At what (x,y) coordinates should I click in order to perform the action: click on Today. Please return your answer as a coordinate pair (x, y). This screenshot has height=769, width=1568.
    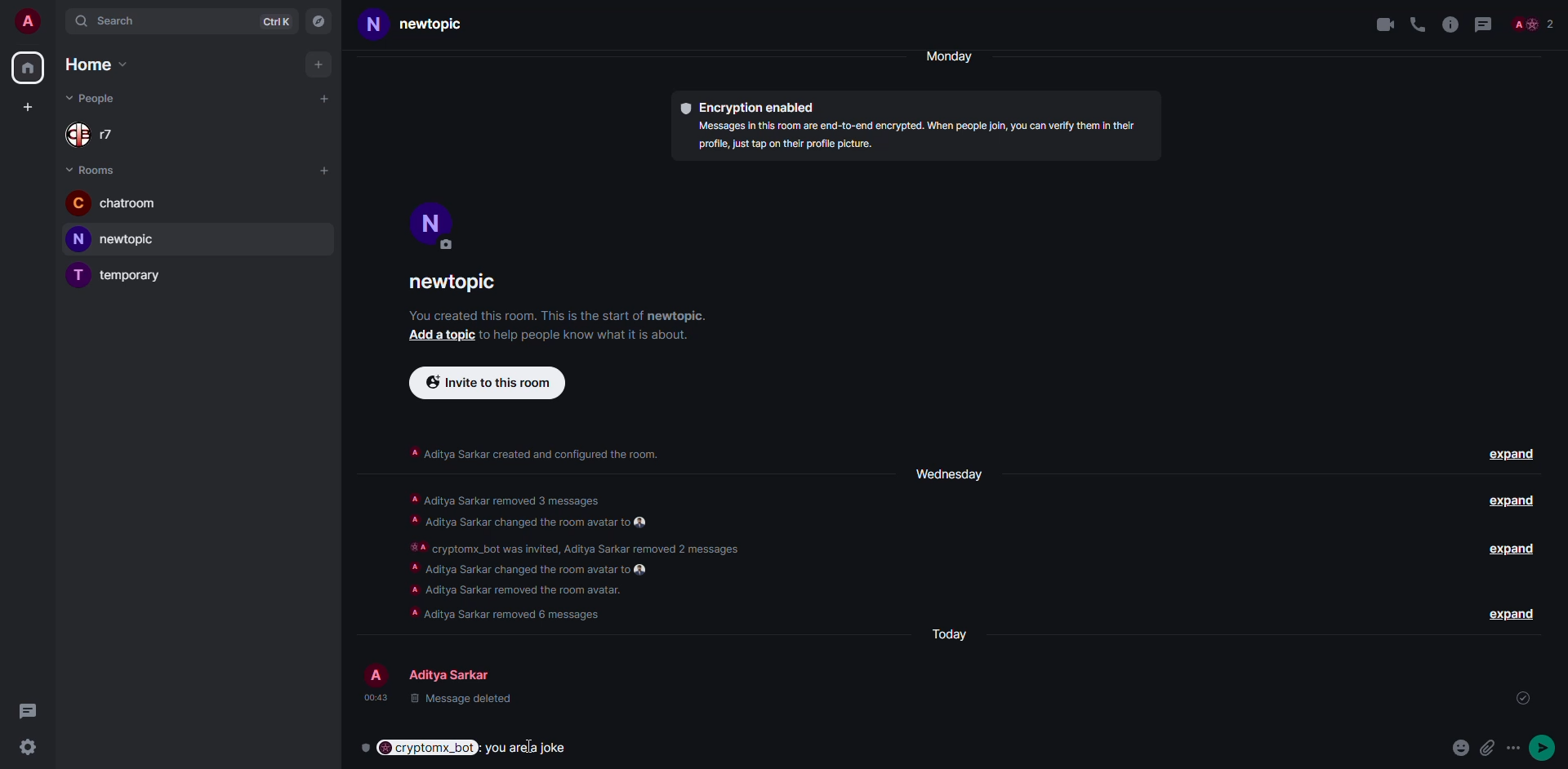
    Looking at the image, I should click on (953, 634).